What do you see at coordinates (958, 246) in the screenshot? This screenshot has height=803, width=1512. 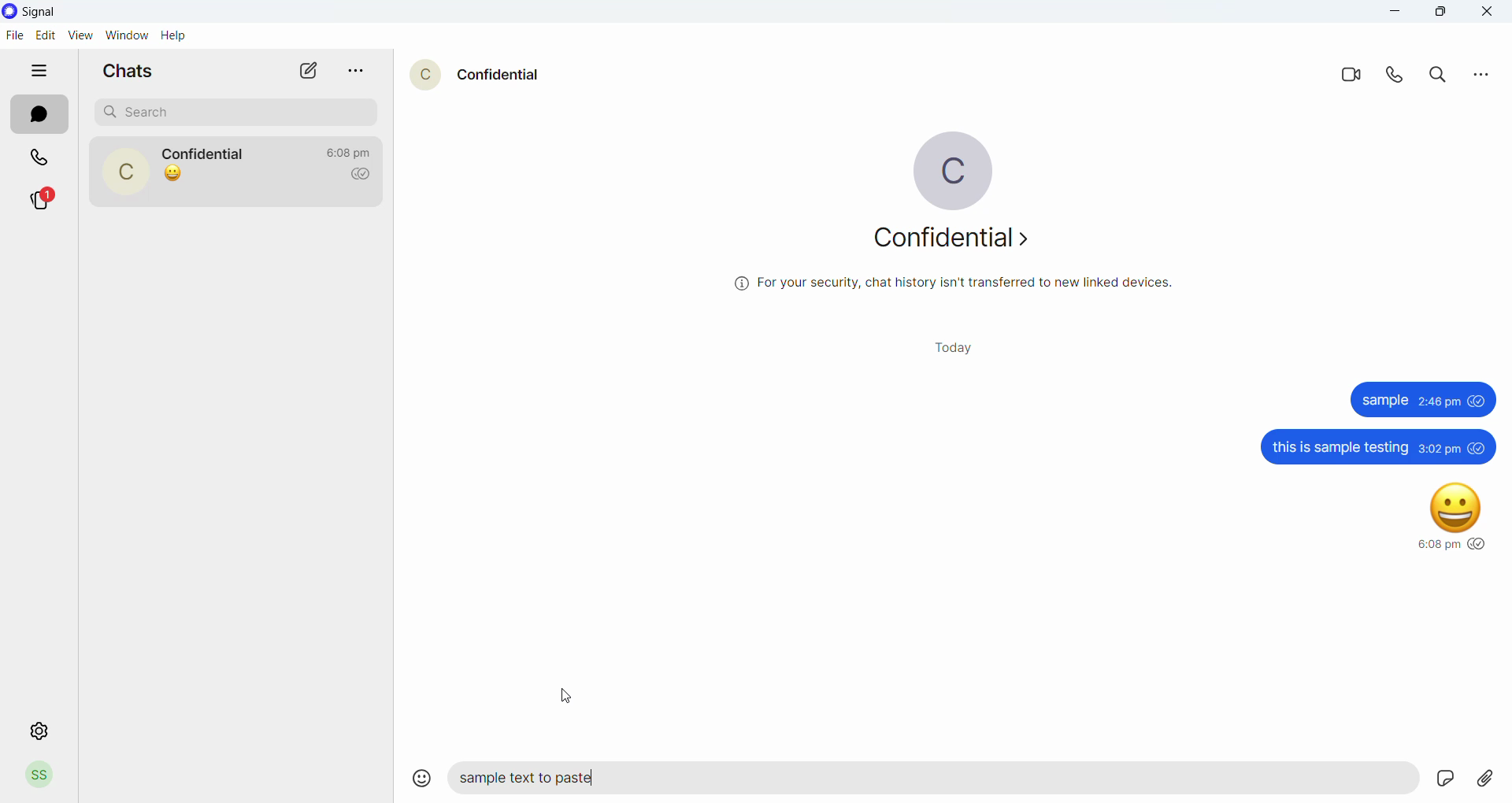 I see `about contact` at bounding box center [958, 246].